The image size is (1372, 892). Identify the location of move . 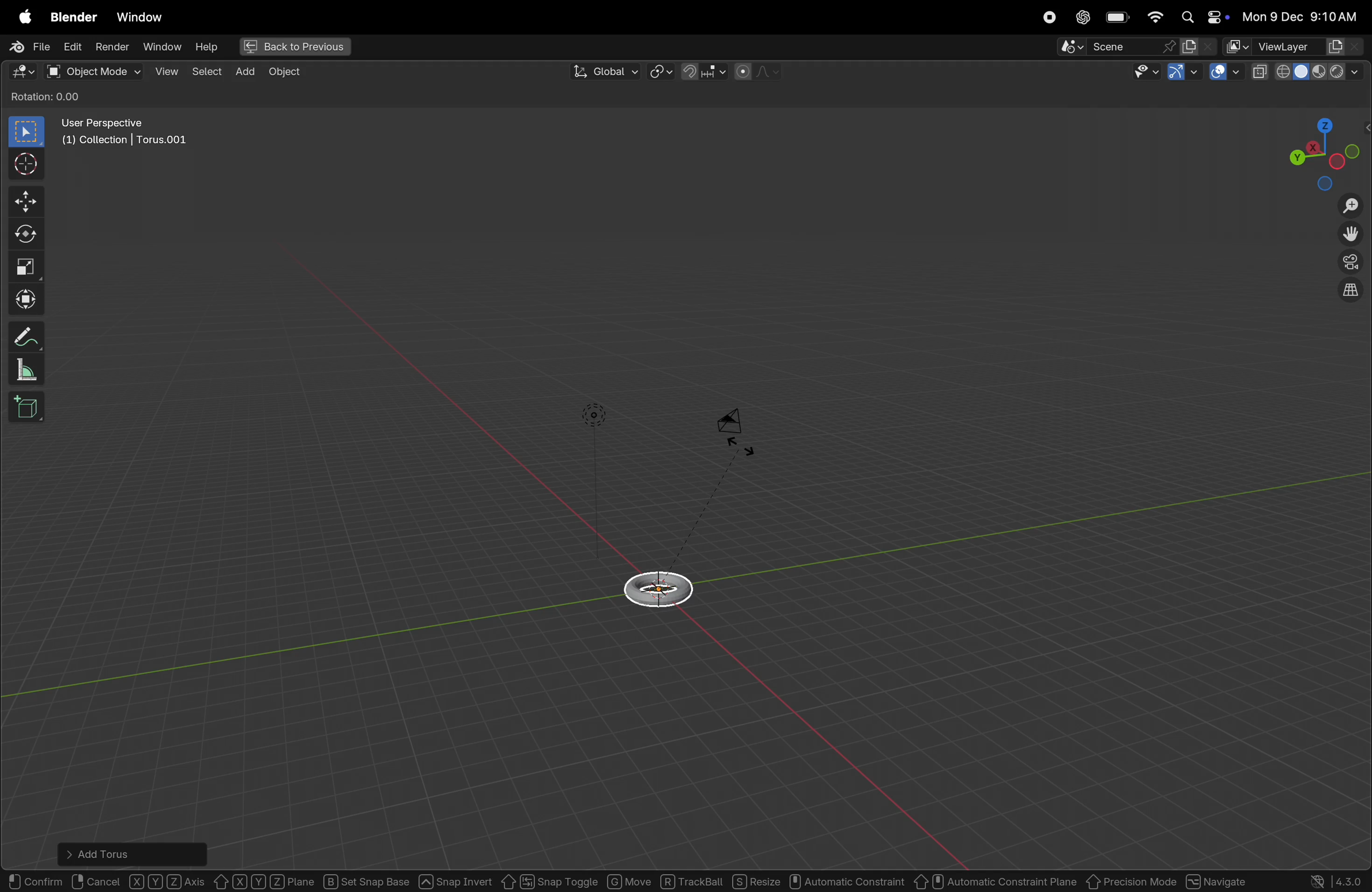
(28, 201).